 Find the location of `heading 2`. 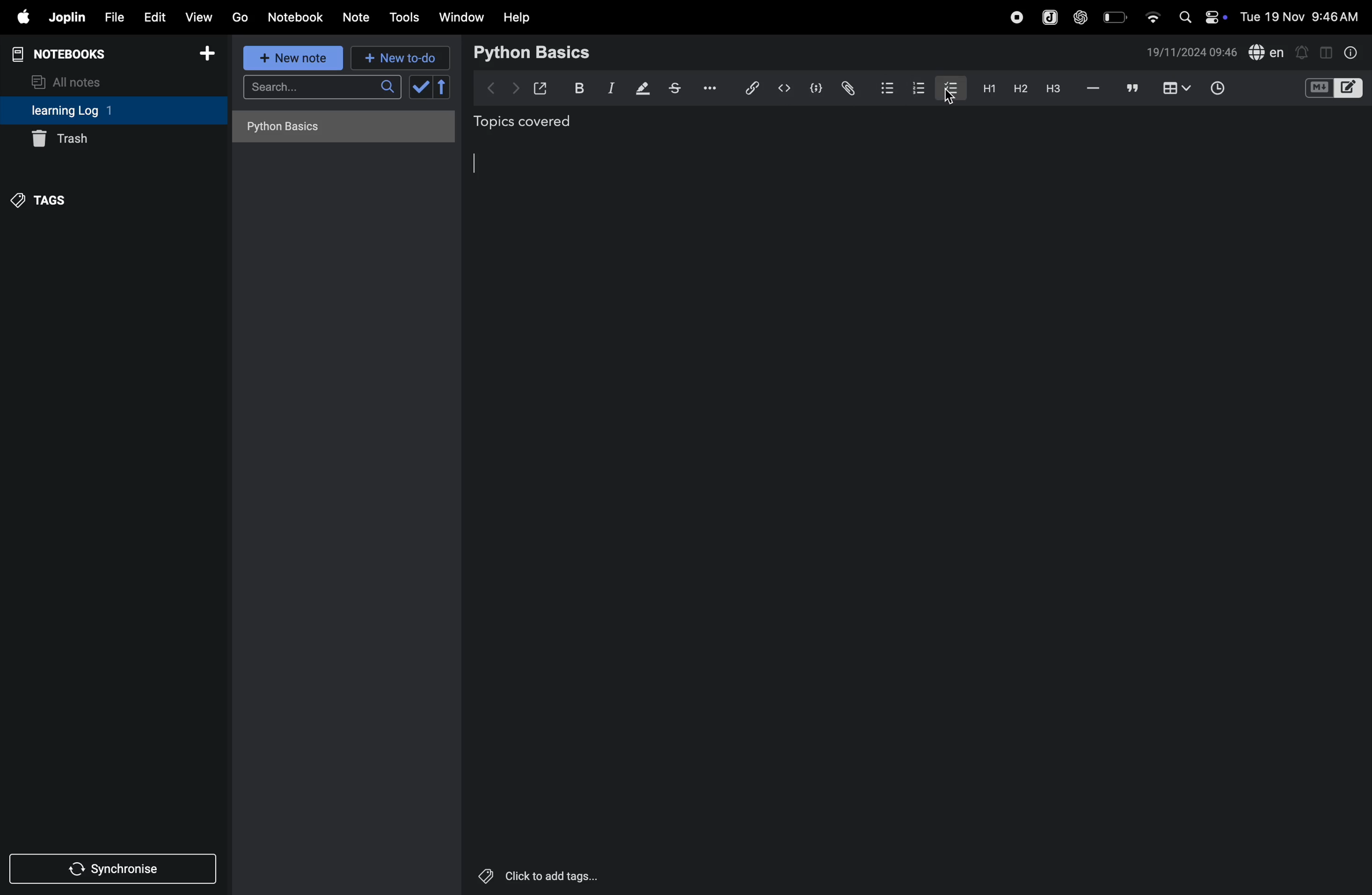

heading 2 is located at coordinates (1020, 88).